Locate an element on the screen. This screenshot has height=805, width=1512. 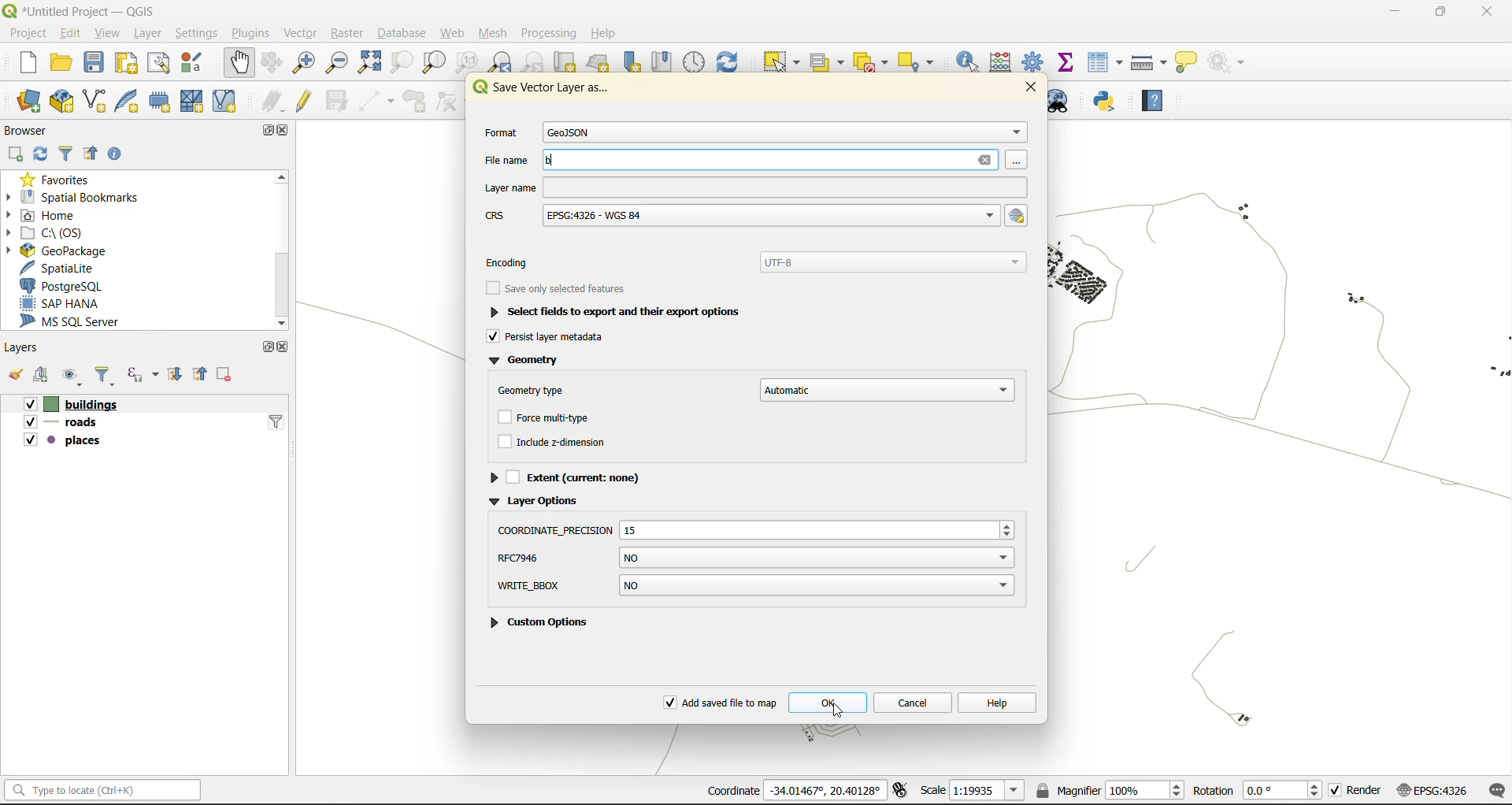
sap hana is located at coordinates (79, 304).